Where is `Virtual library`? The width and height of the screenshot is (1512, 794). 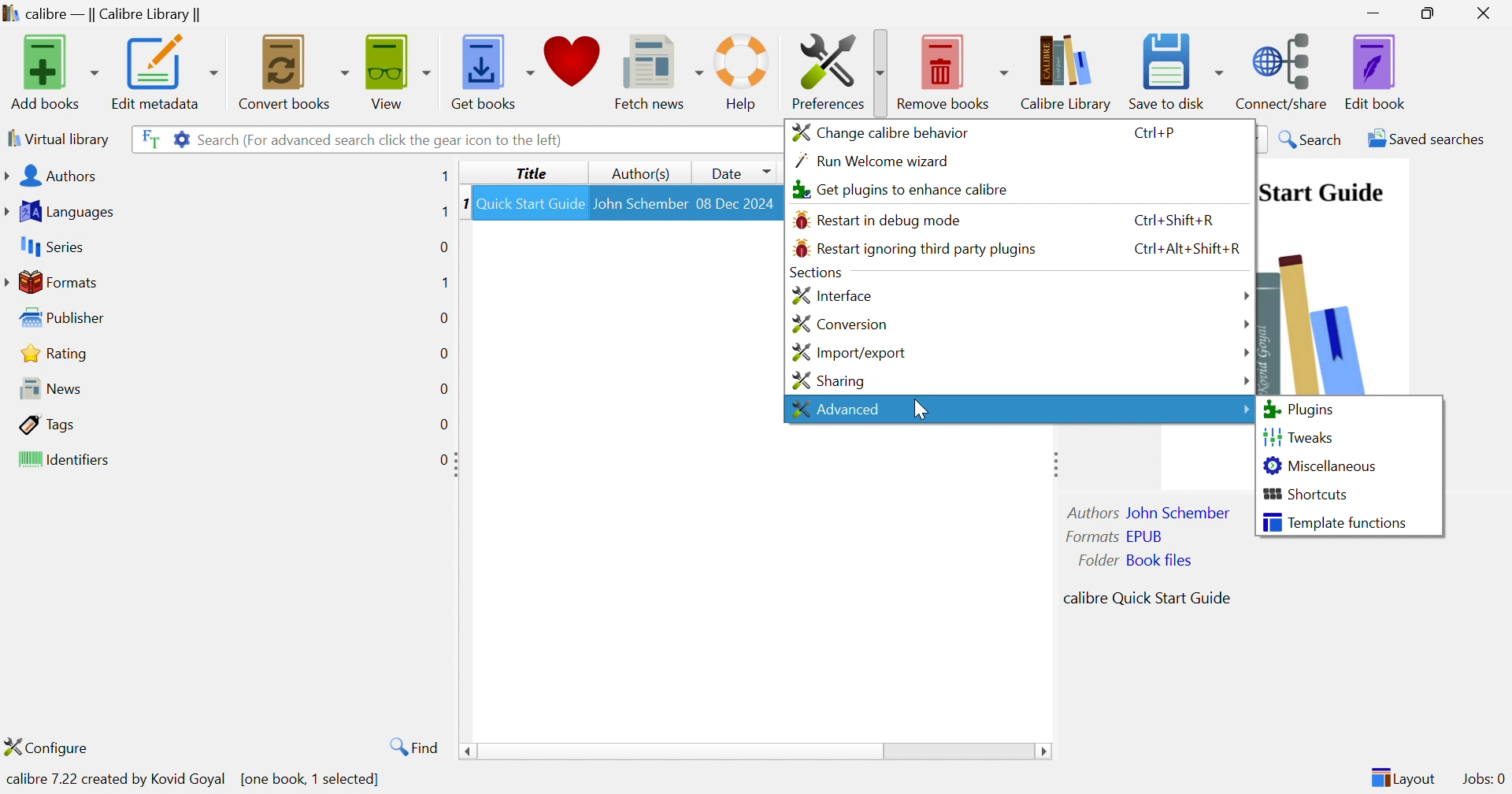 Virtual library is located at coordinates (57, 138).